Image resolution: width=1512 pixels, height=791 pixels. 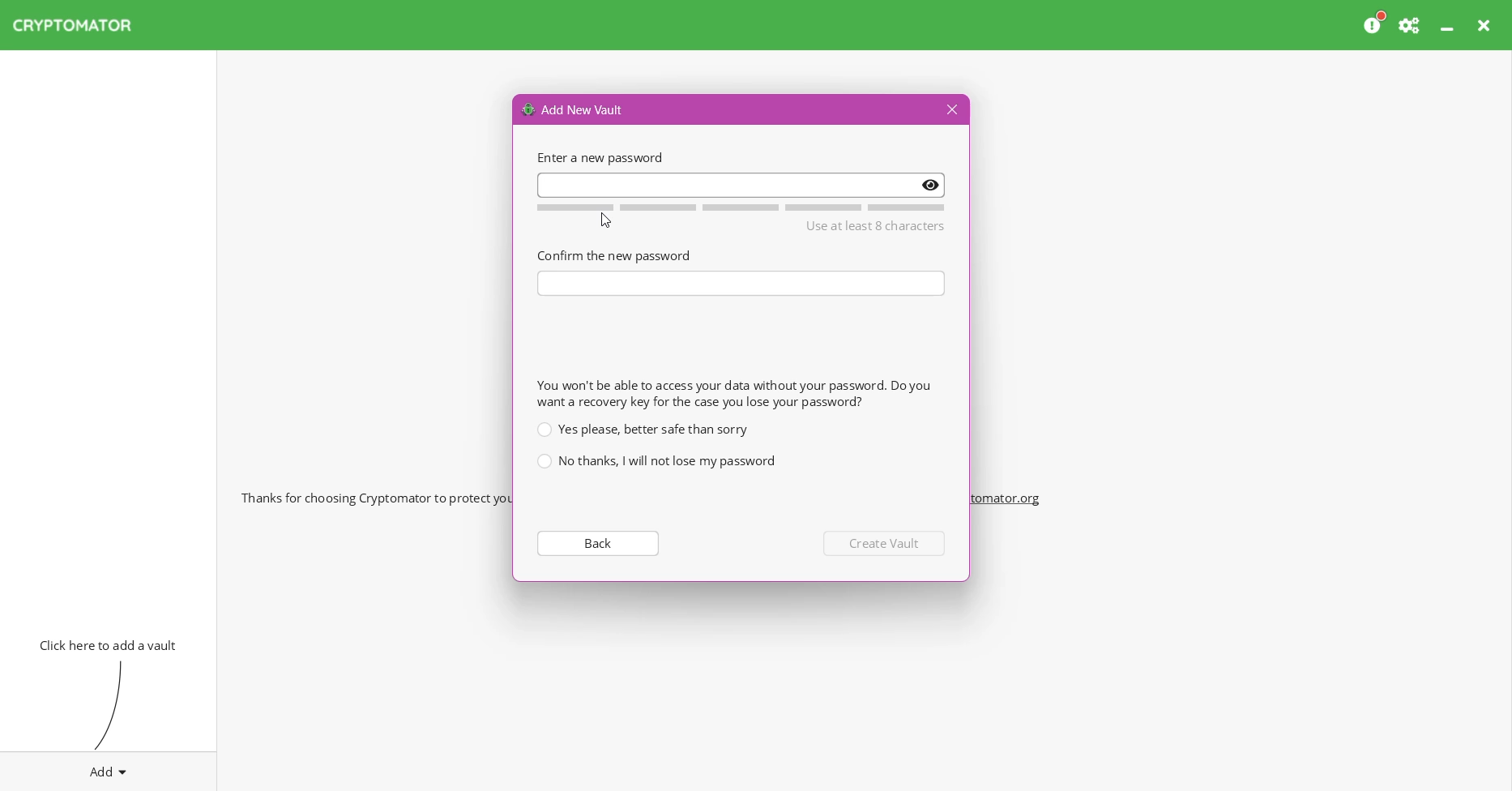 What do you see at coordinates (1375, 24) in the screenshot?
I see `Please consider donating` at bounding box center [1375, 24].